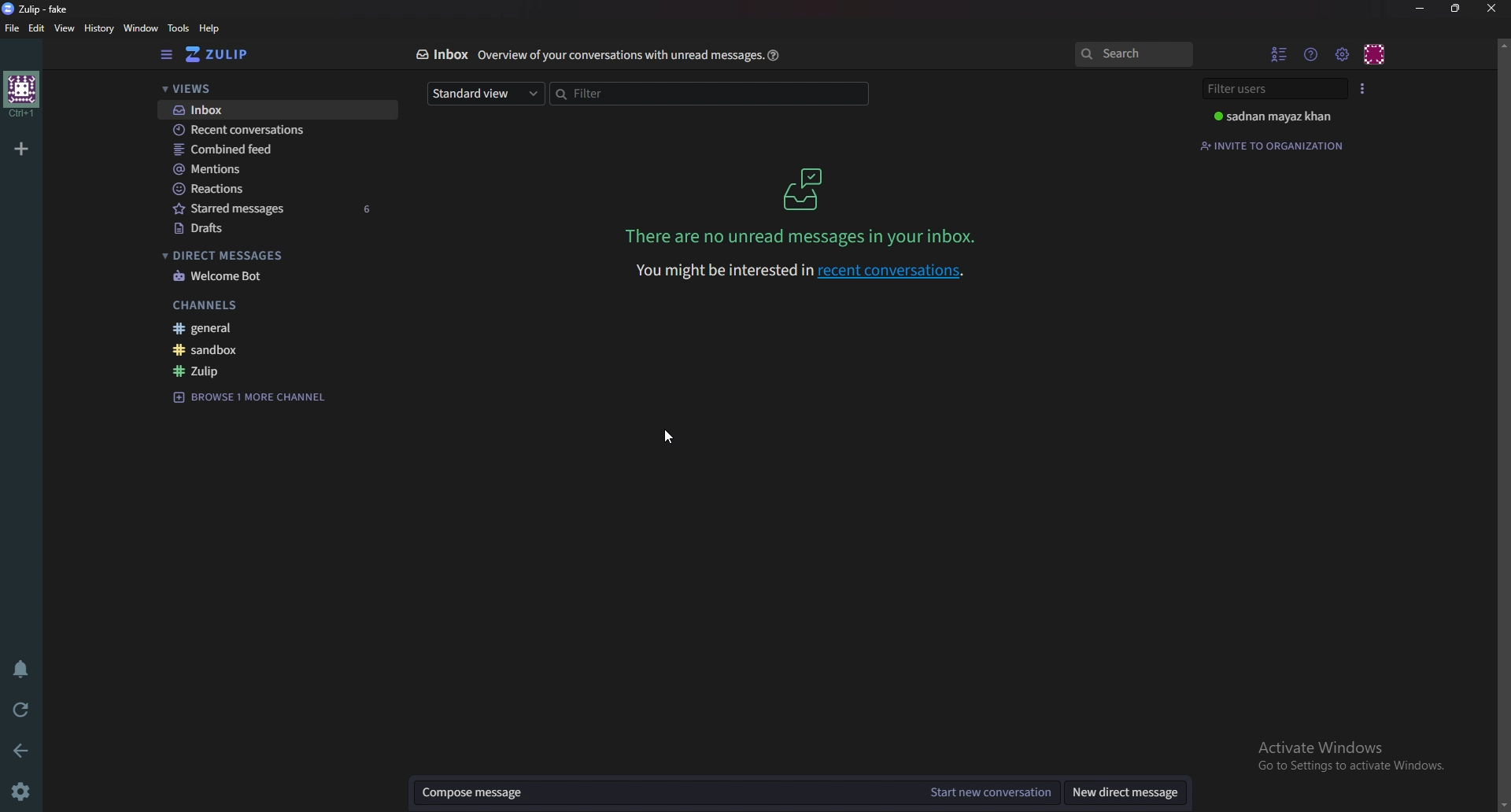 The image size is (1511, 812). Describe the element at coordinates (617, 54) in the screenshot. I see `Overview of your conversations with unread message:` at that location.